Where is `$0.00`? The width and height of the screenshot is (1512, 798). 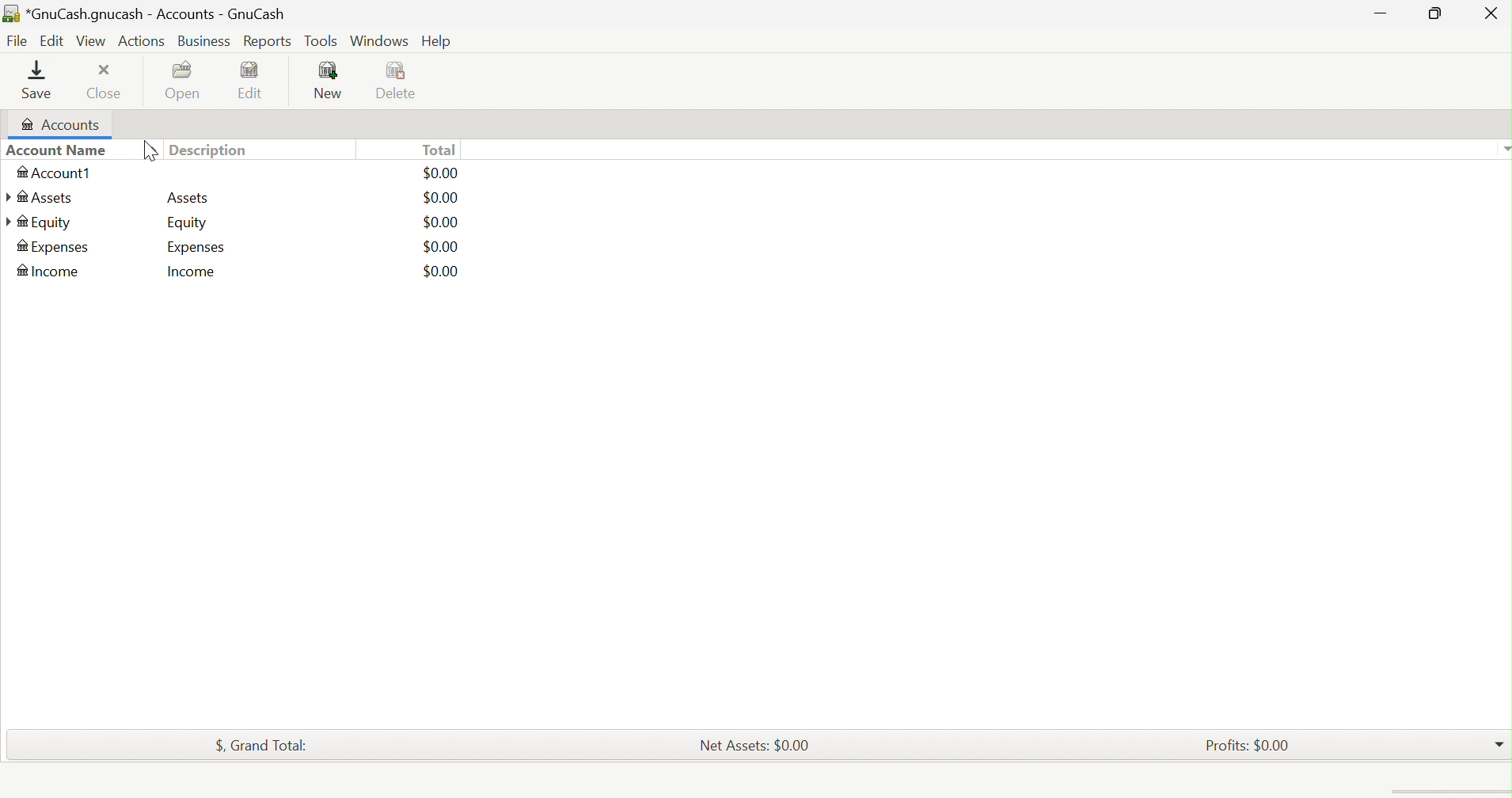 $0.00 is located at coordinates (441, 246).